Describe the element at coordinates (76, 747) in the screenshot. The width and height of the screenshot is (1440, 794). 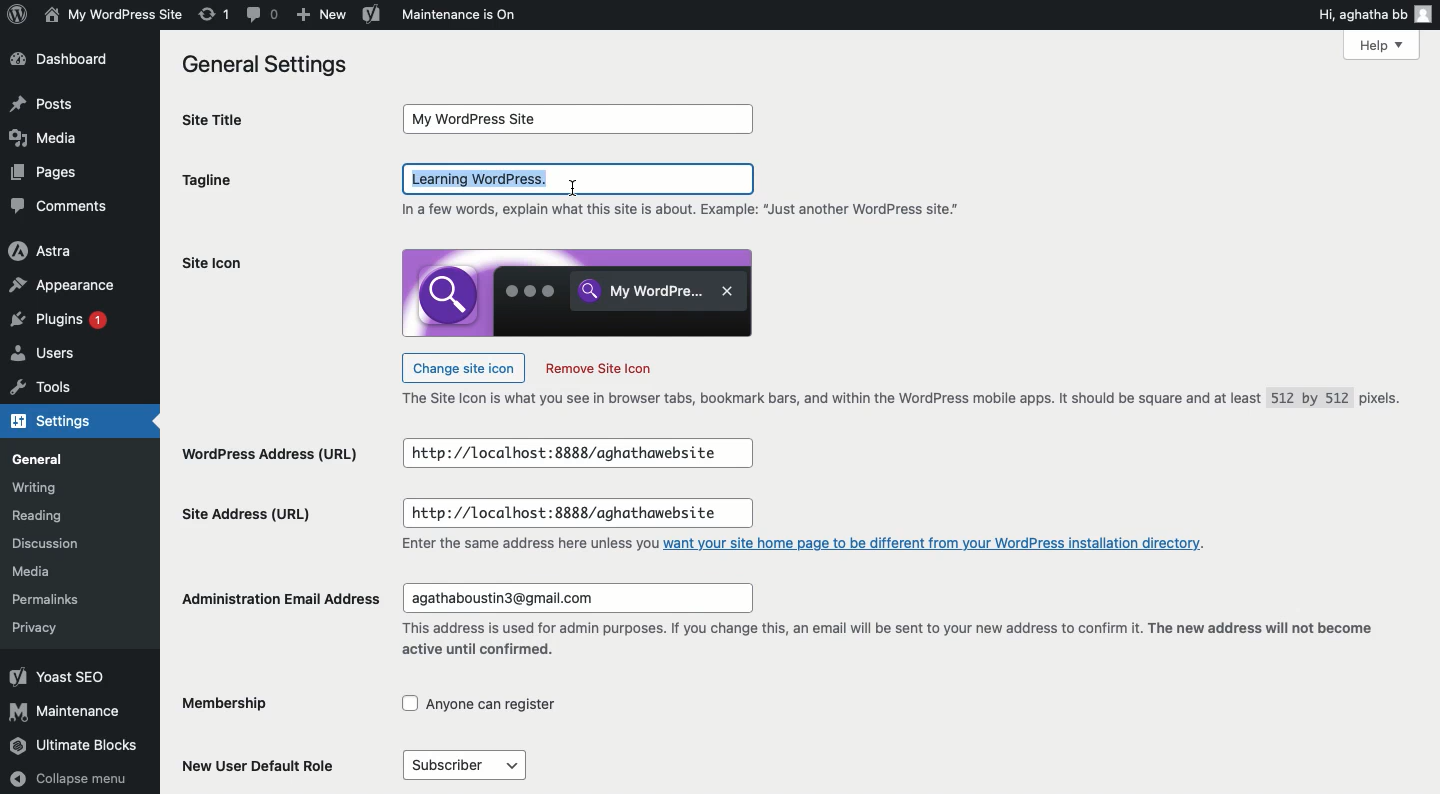
I see `Ultimate blocks` at that location.